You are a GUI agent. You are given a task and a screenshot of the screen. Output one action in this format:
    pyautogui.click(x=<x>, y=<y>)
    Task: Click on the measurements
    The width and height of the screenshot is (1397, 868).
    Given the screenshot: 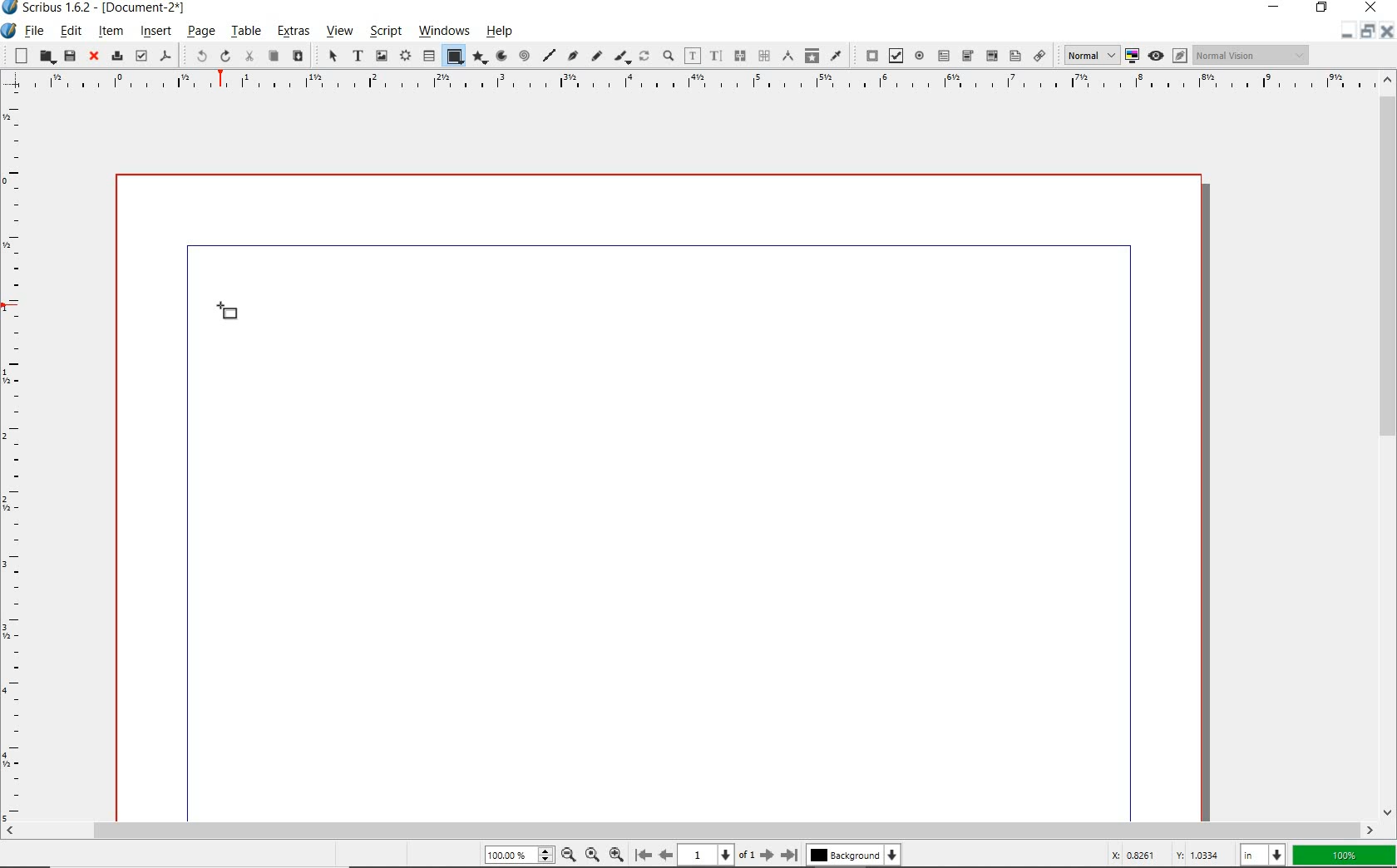 What is the action you would take?
    pyautogui.click(x=786, y=57)
    